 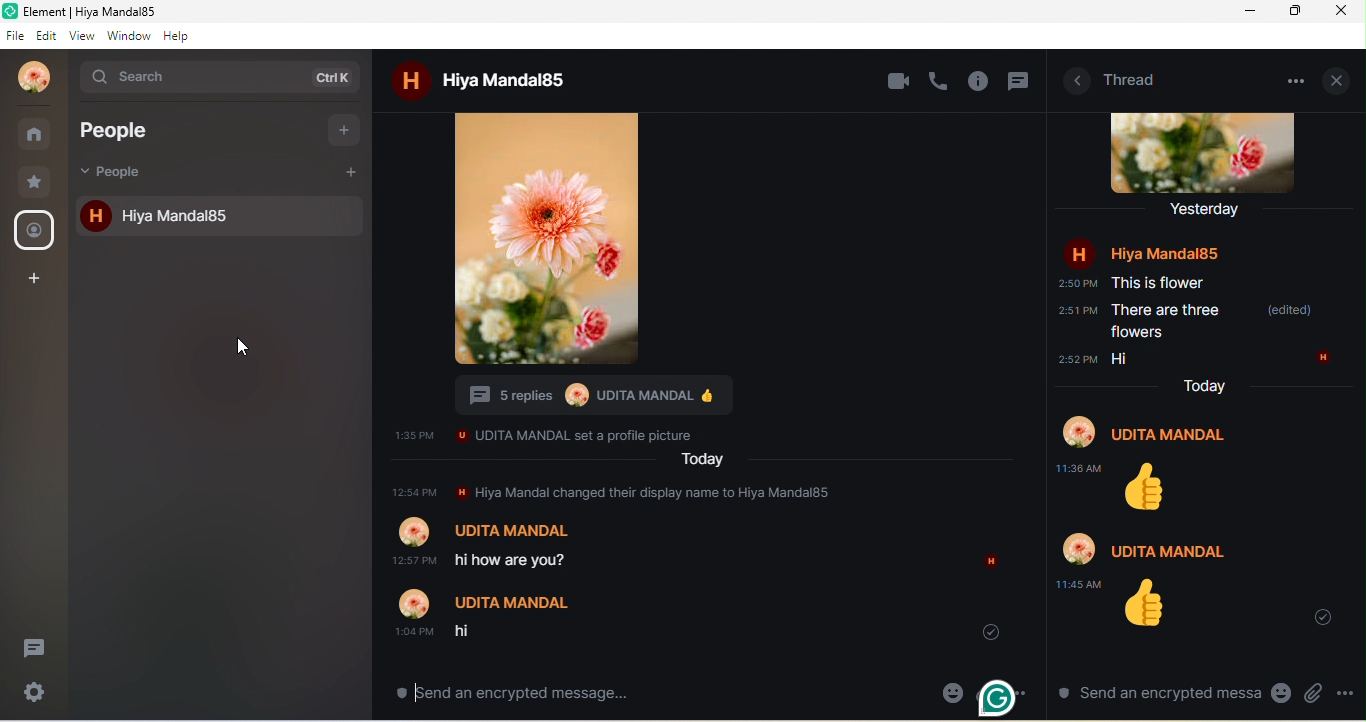 I want to click on 2:50 PM, so click(x=1076, y=284).